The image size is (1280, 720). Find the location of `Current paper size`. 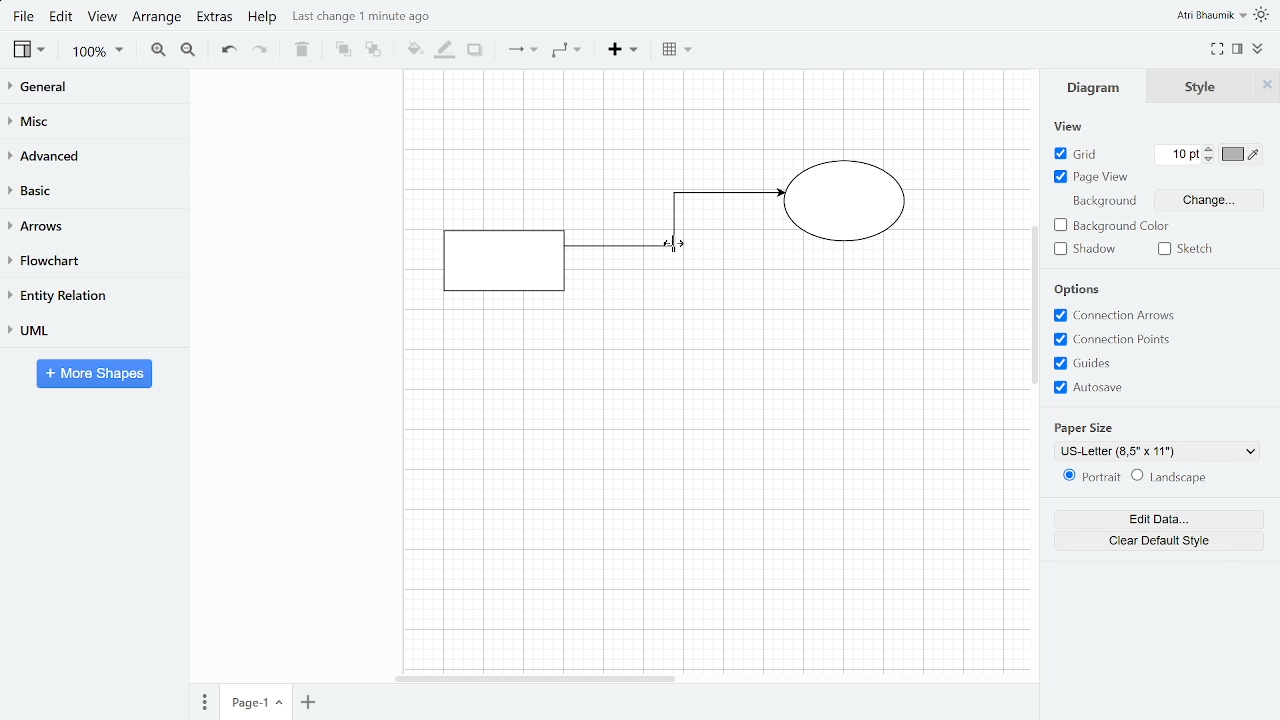

Current paper size is located at coordinates (1152, 451).